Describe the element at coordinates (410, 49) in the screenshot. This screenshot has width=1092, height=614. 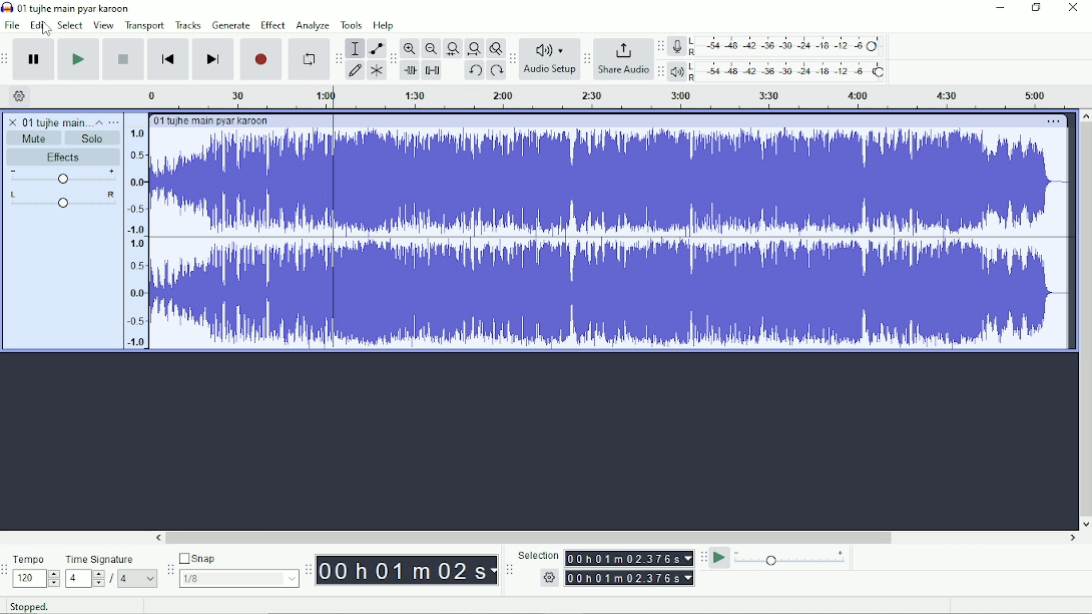
I see `Zoom In` at that location.